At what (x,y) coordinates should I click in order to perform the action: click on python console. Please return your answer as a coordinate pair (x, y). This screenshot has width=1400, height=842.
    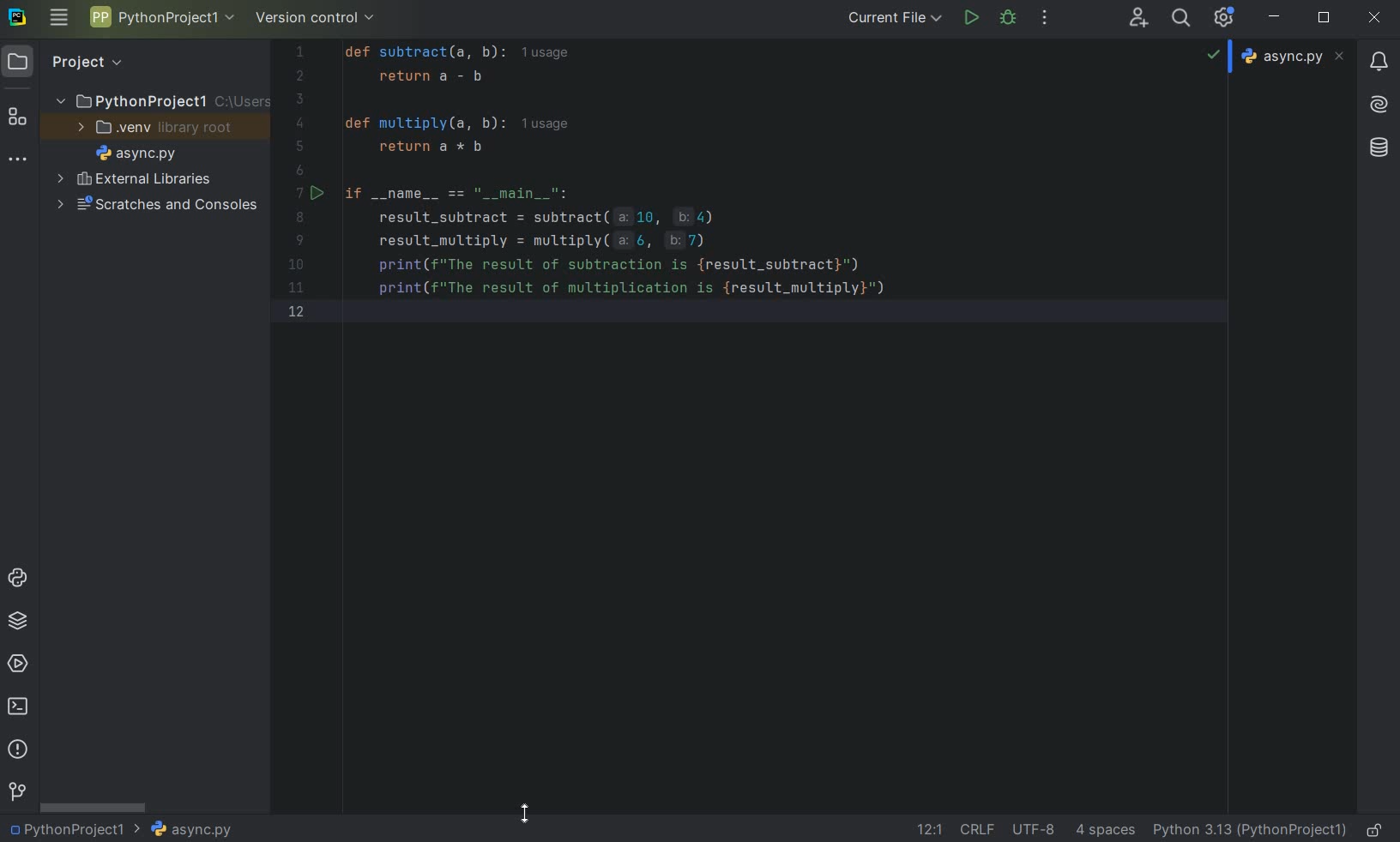
    Looking at the image, I should click on (19, 580).